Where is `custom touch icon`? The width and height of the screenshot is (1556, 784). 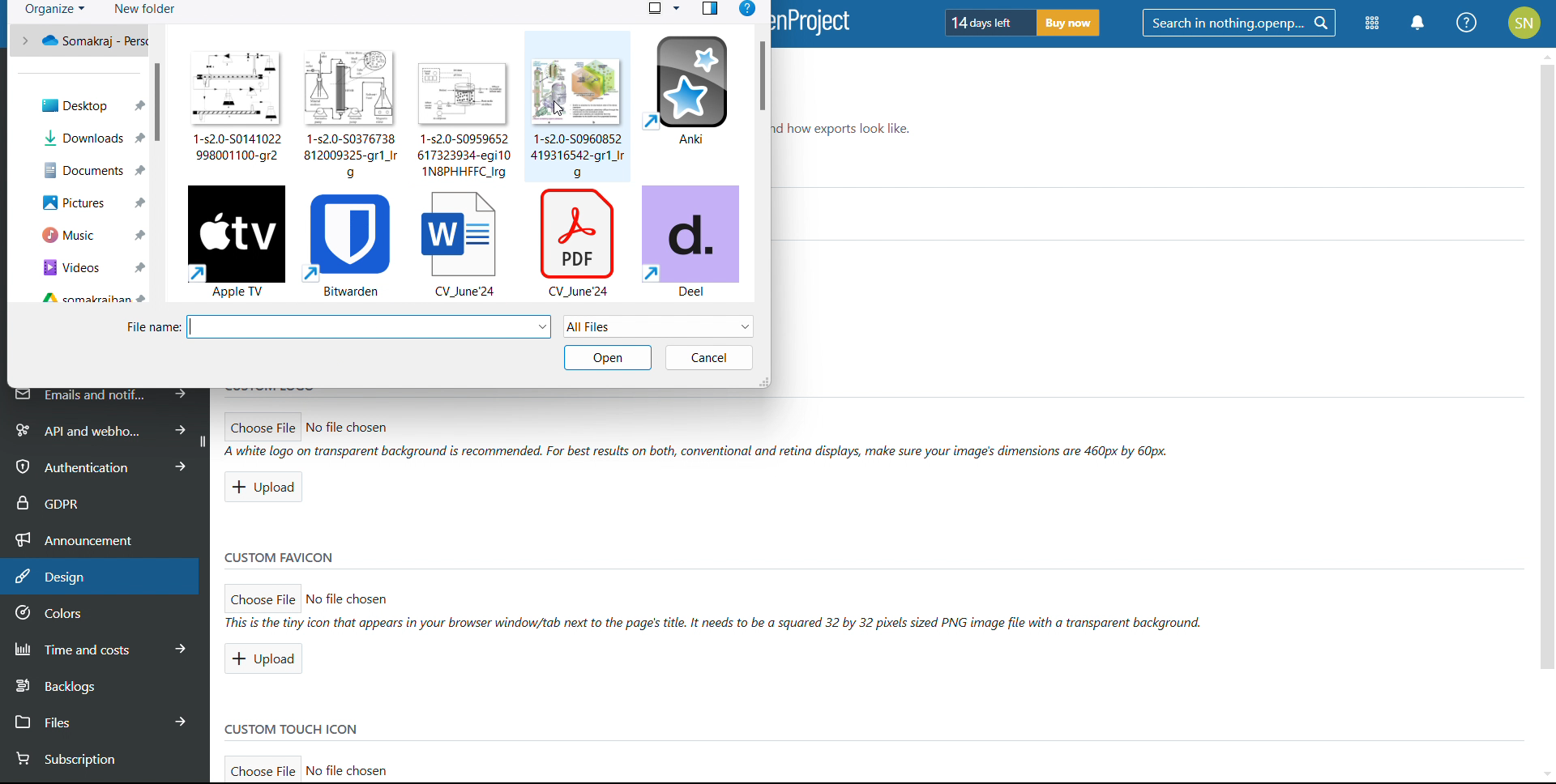 custom touch icon is located at coordinates (294, 730).